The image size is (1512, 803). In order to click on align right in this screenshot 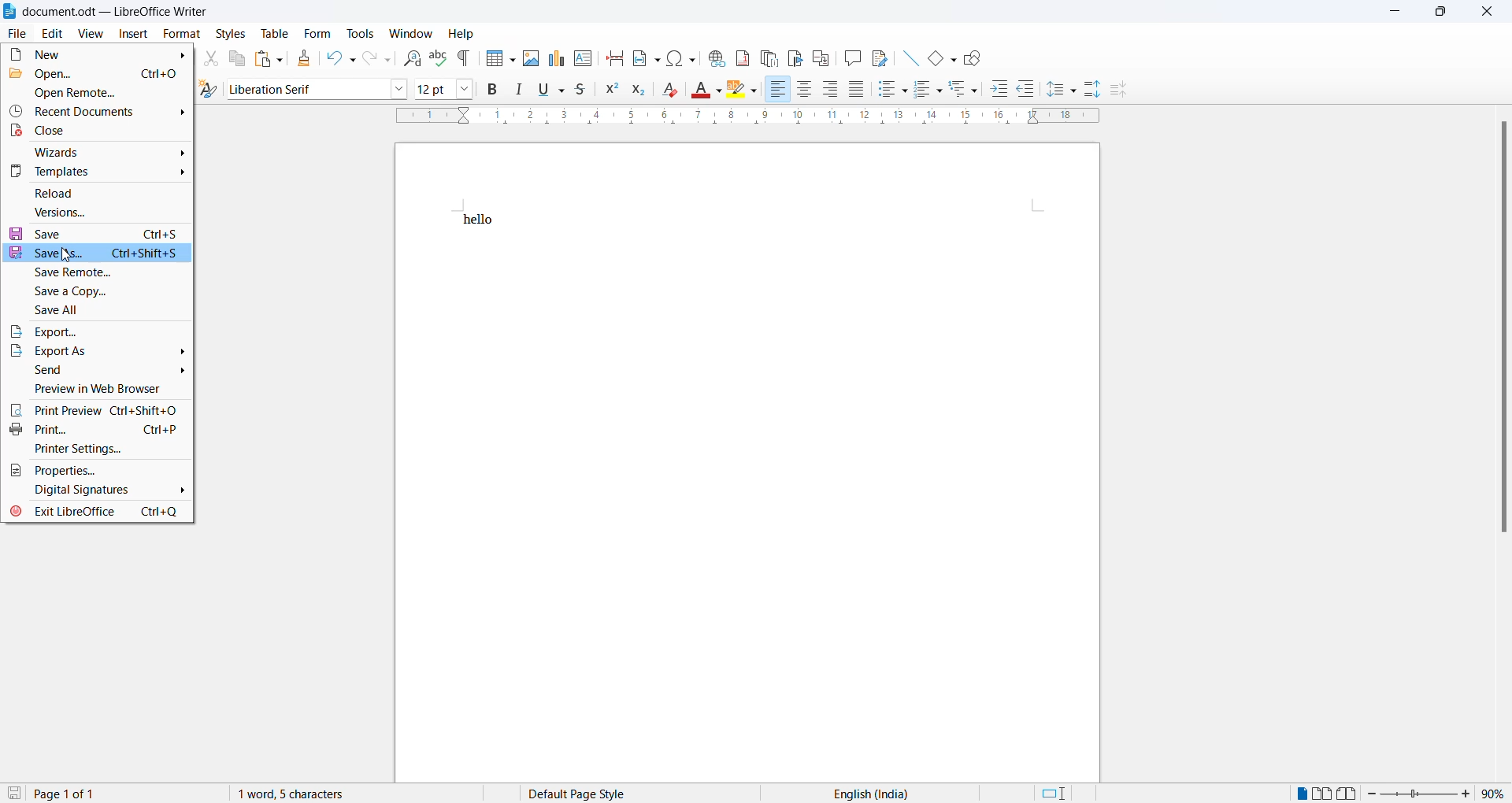, I will do `click(831, 89)`.